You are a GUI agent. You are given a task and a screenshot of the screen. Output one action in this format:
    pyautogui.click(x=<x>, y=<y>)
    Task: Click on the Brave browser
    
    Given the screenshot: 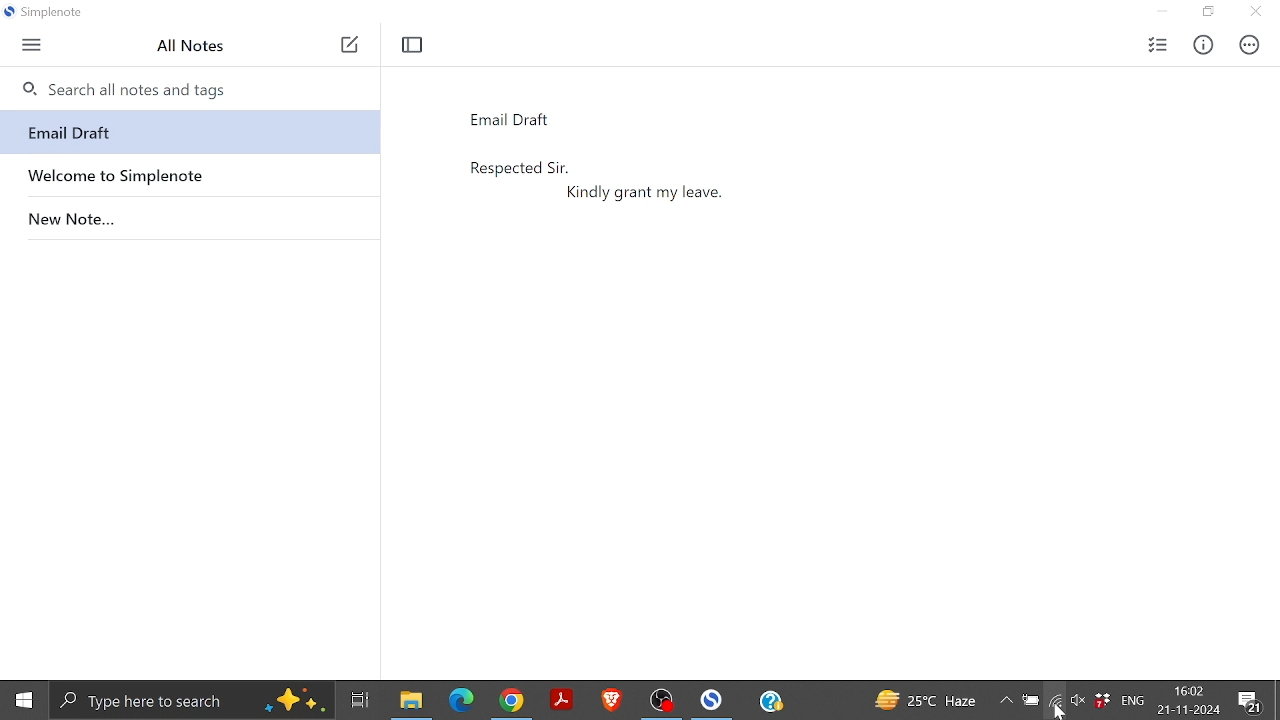 What is the action you would take?
    pyautogui.click(x=613, y=699)
    